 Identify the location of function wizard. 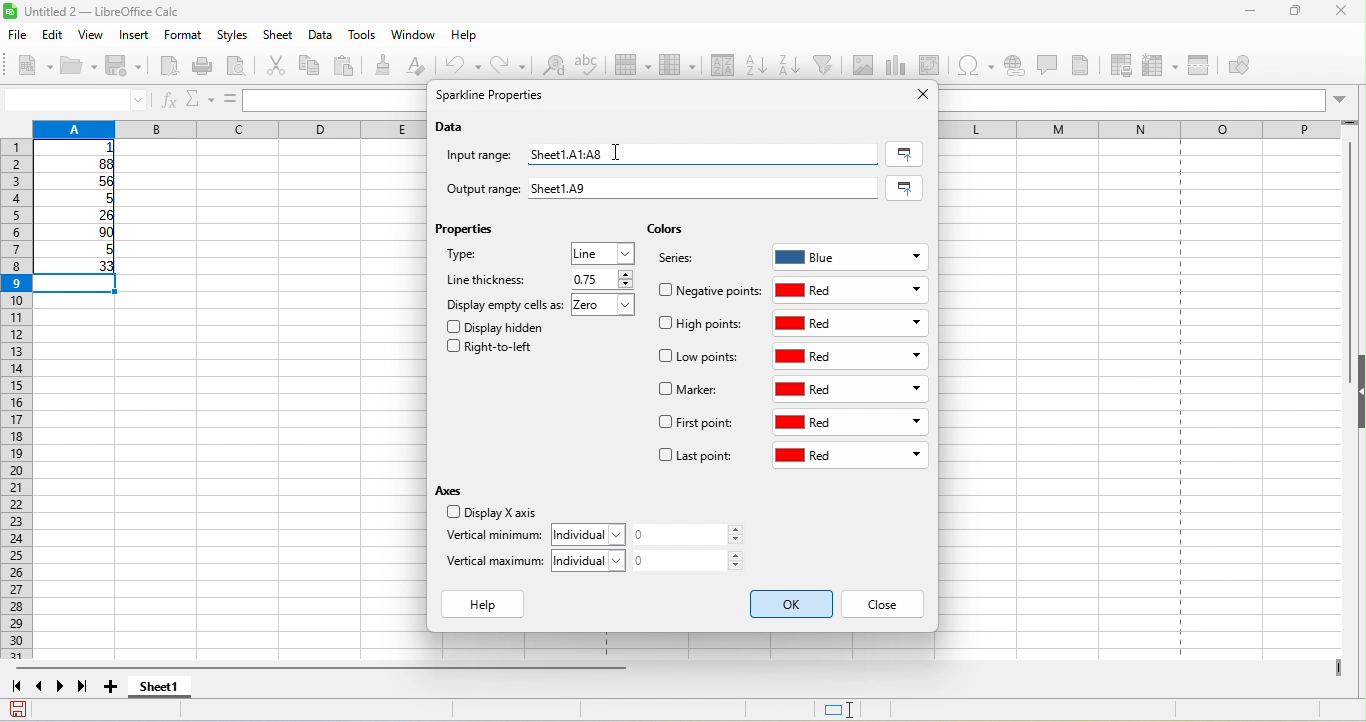
(169, 101).